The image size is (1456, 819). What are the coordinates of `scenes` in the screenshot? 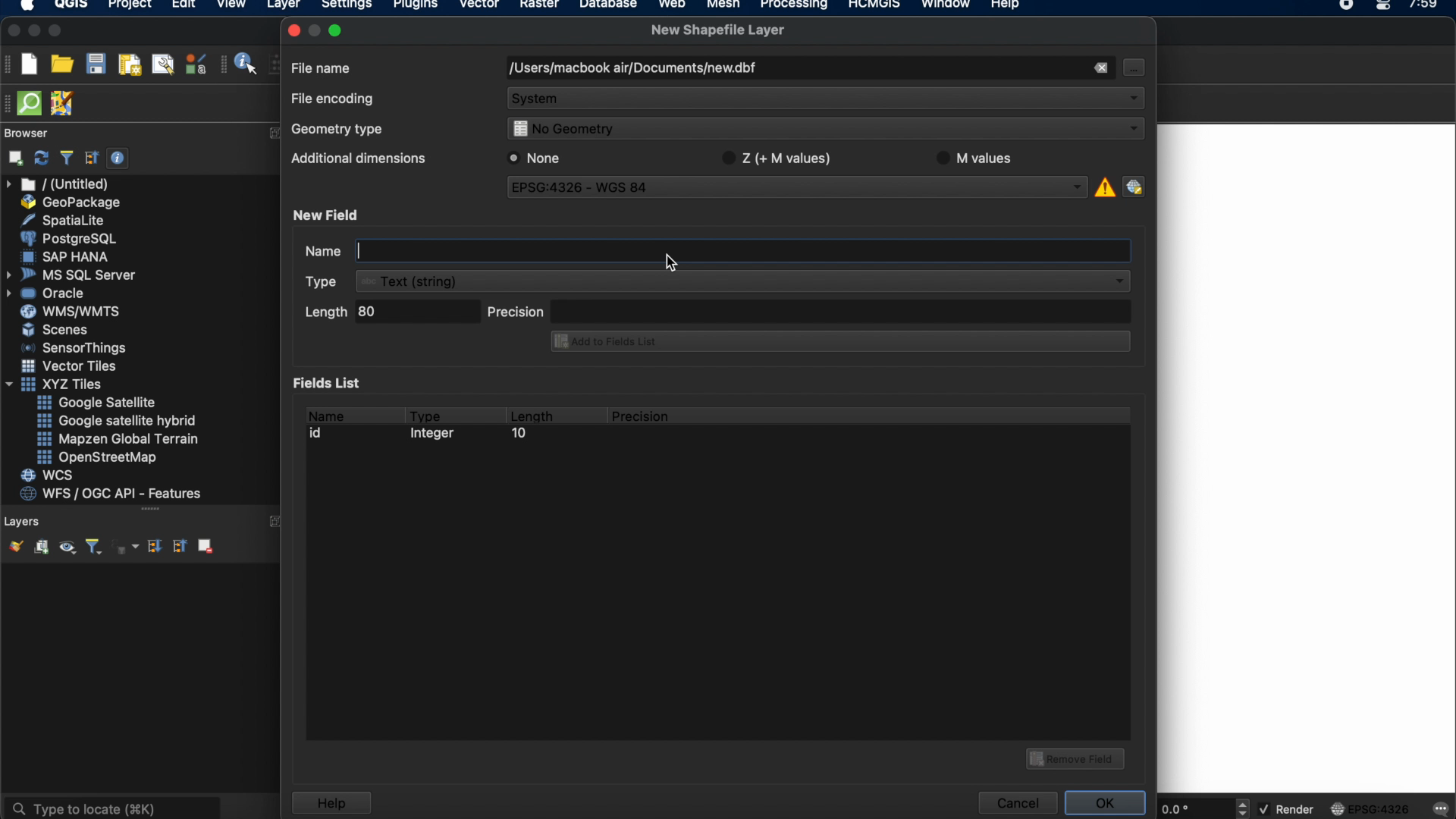 It's located at (56, 329).